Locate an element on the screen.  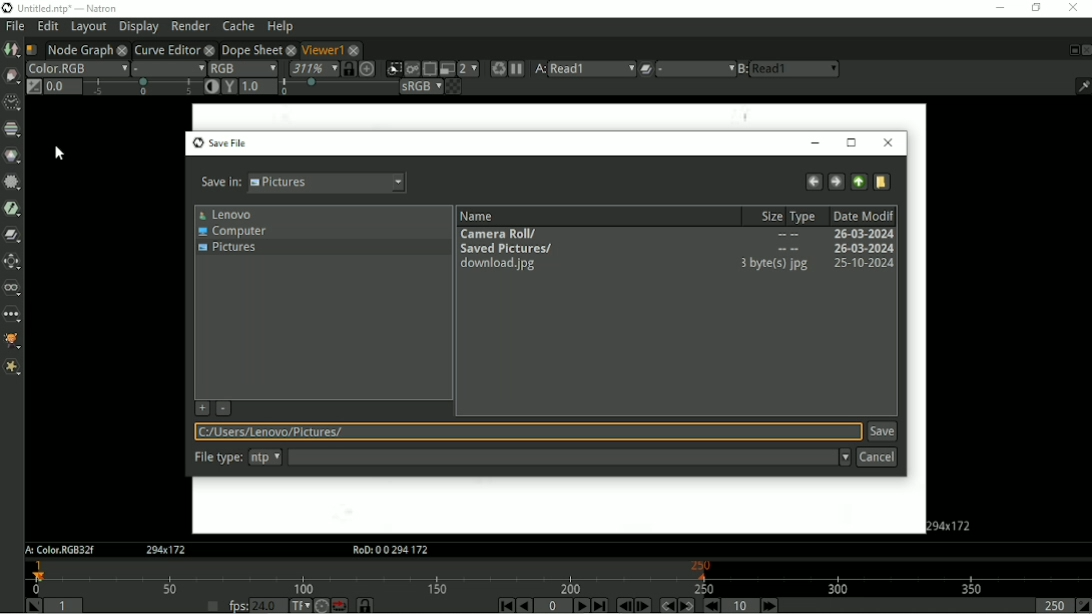
Next keyframe is located at coordinates (687, 605).